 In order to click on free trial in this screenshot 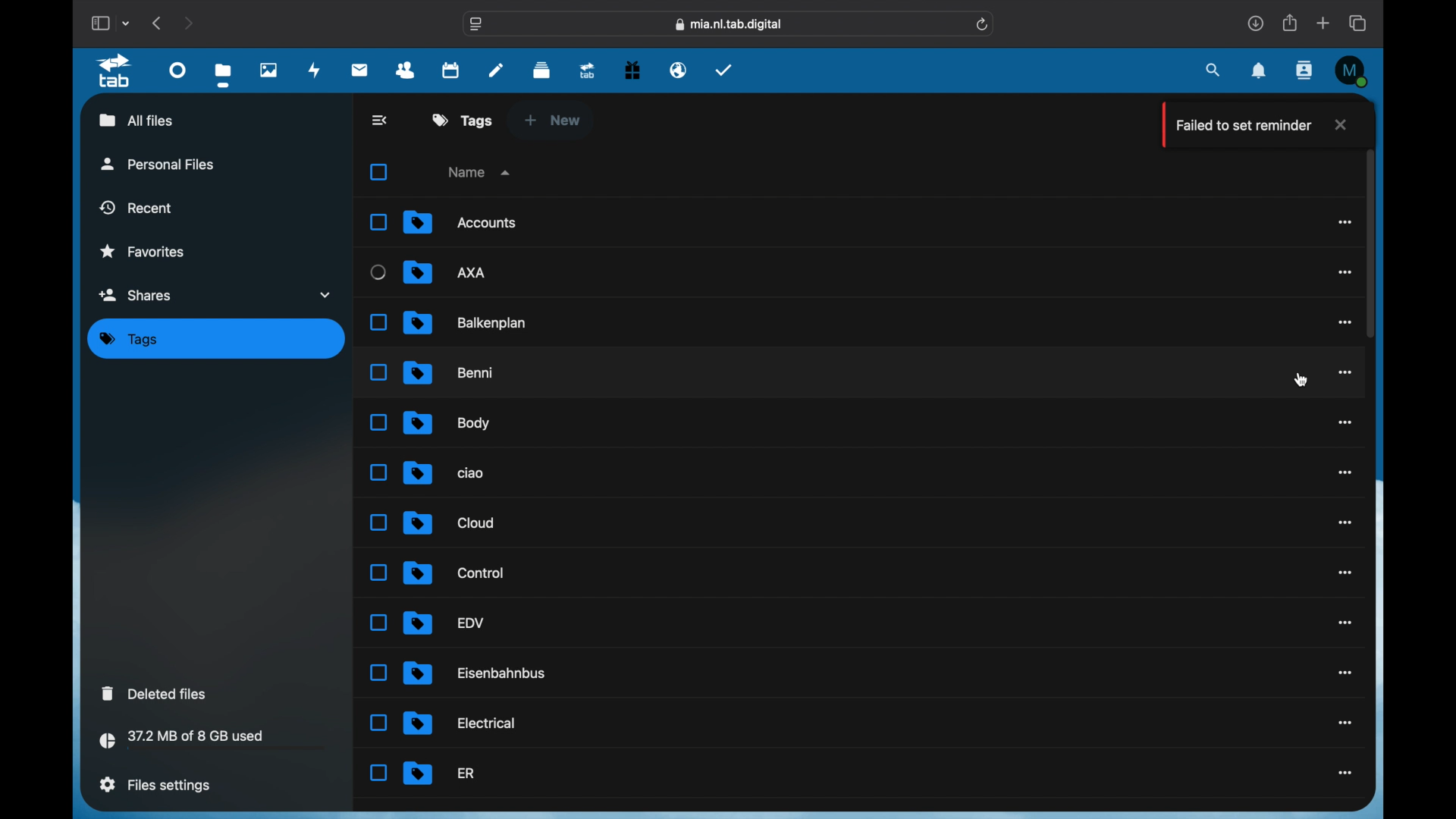, I will do `click(632, 68)`.